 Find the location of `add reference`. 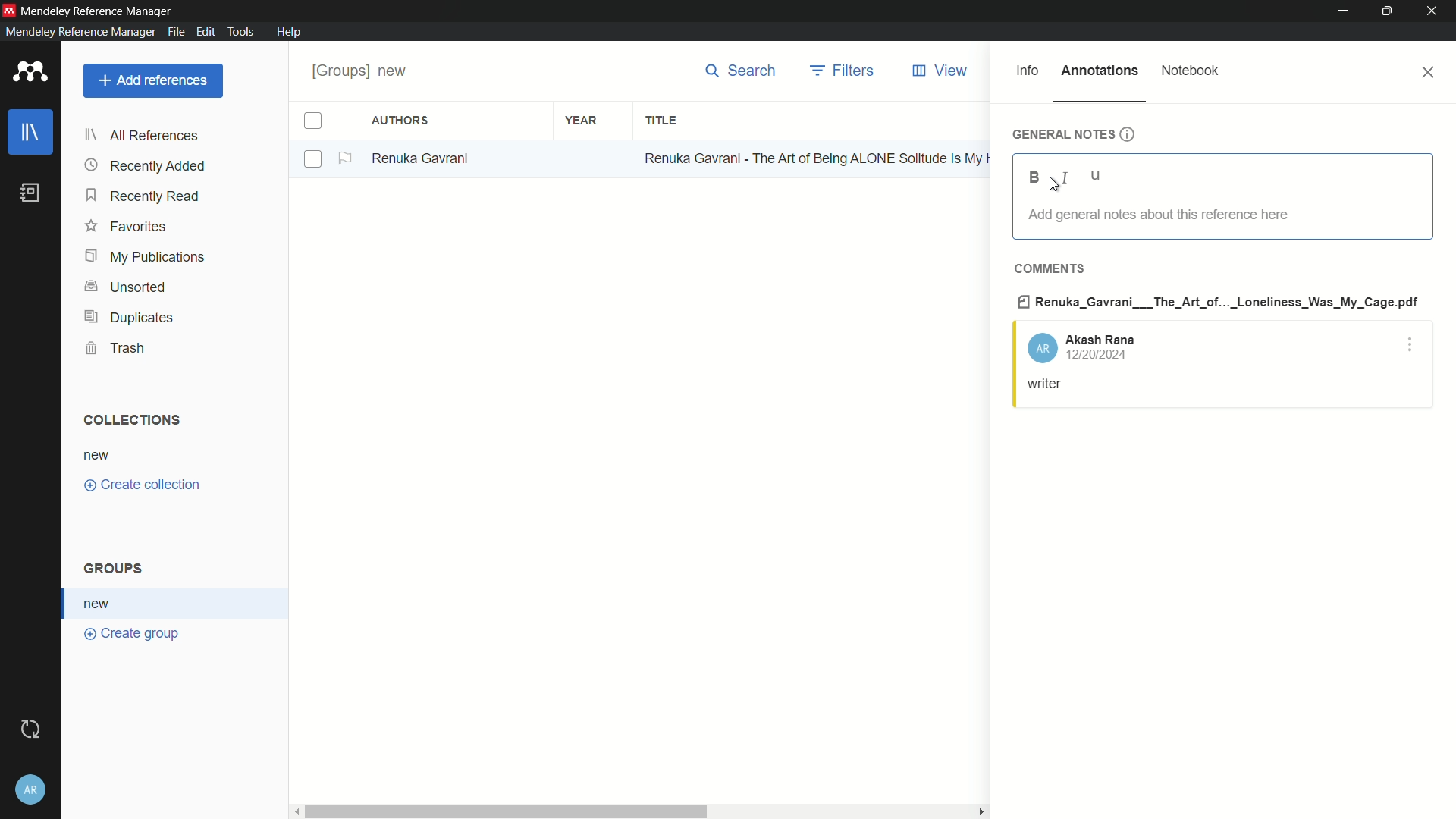

add reference is located at coordinates (154, 80).